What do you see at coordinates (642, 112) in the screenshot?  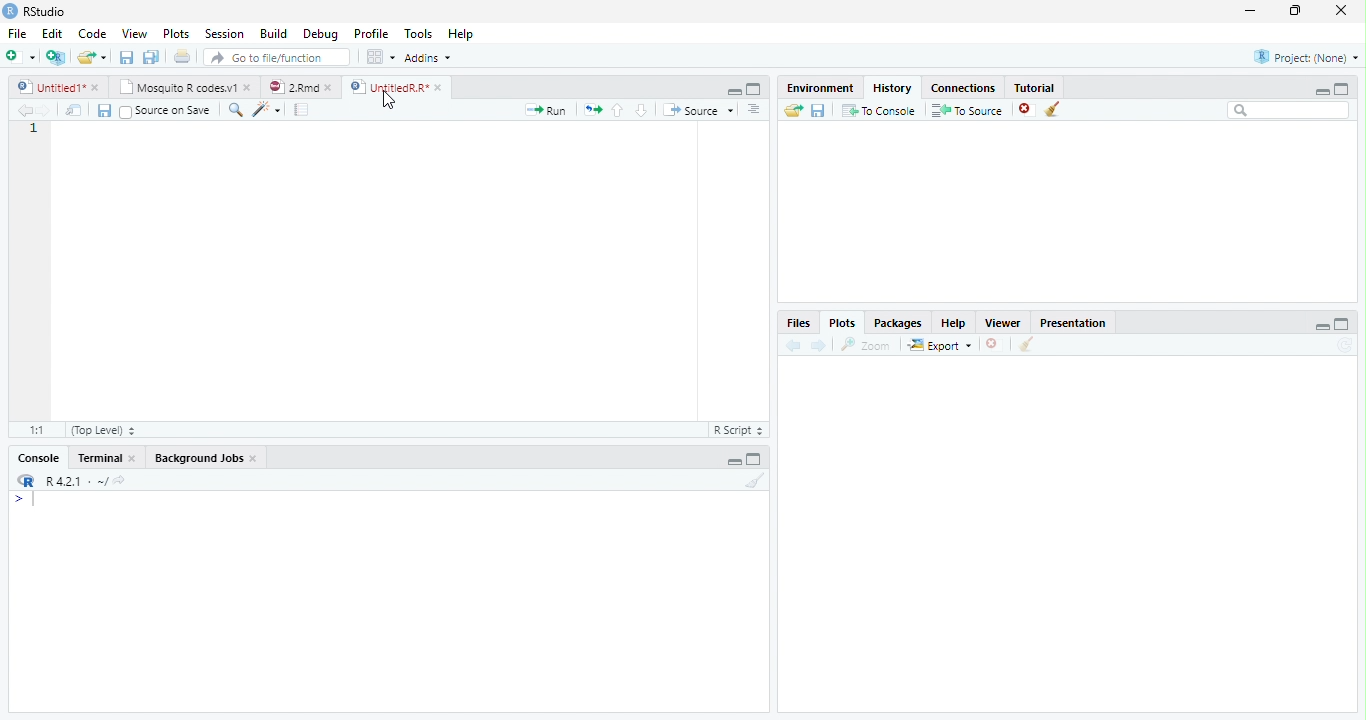 I see `Go to the next section ` at bounding box center [642, 112].